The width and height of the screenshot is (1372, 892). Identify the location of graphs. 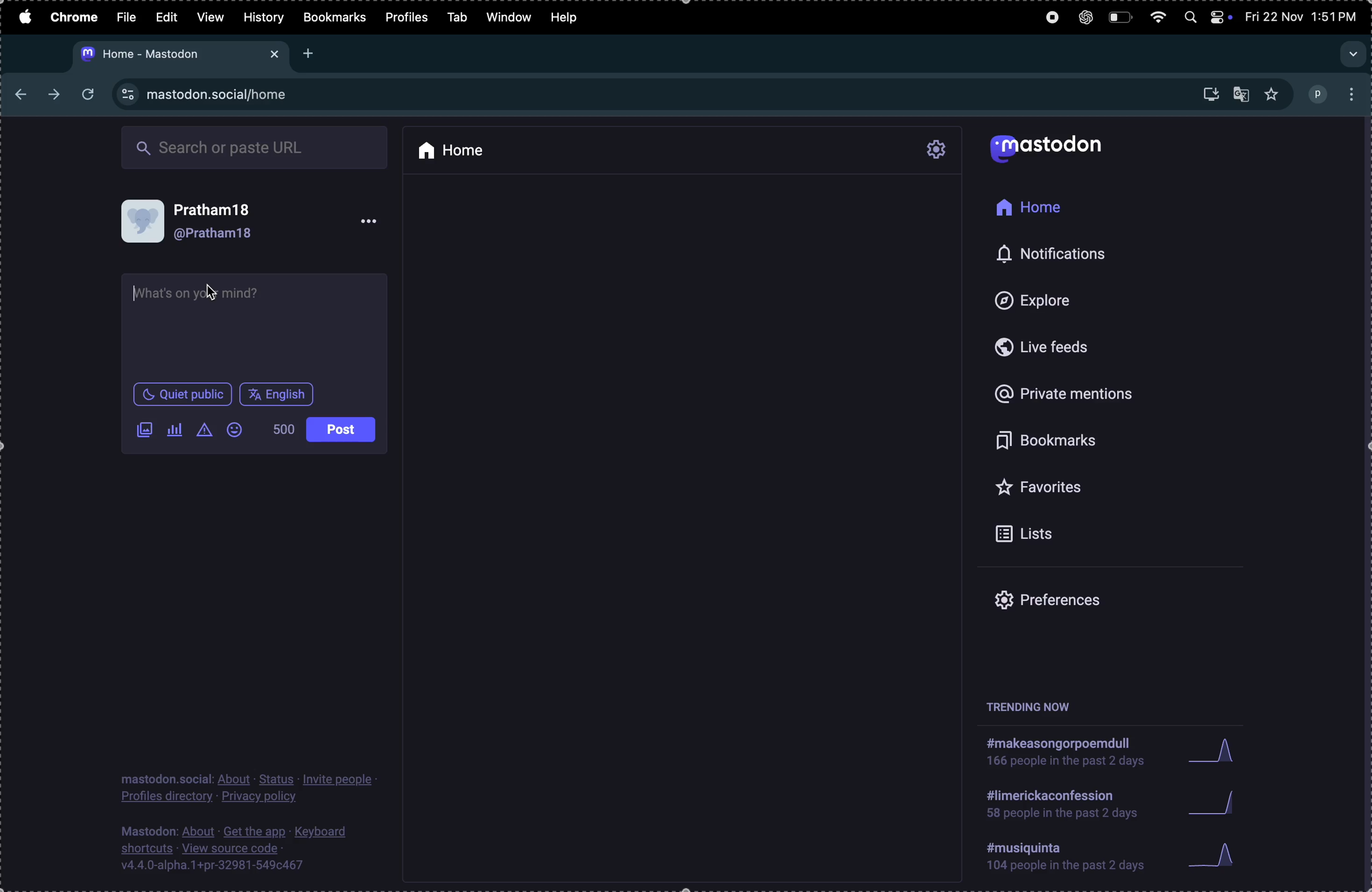
(1173, 751).